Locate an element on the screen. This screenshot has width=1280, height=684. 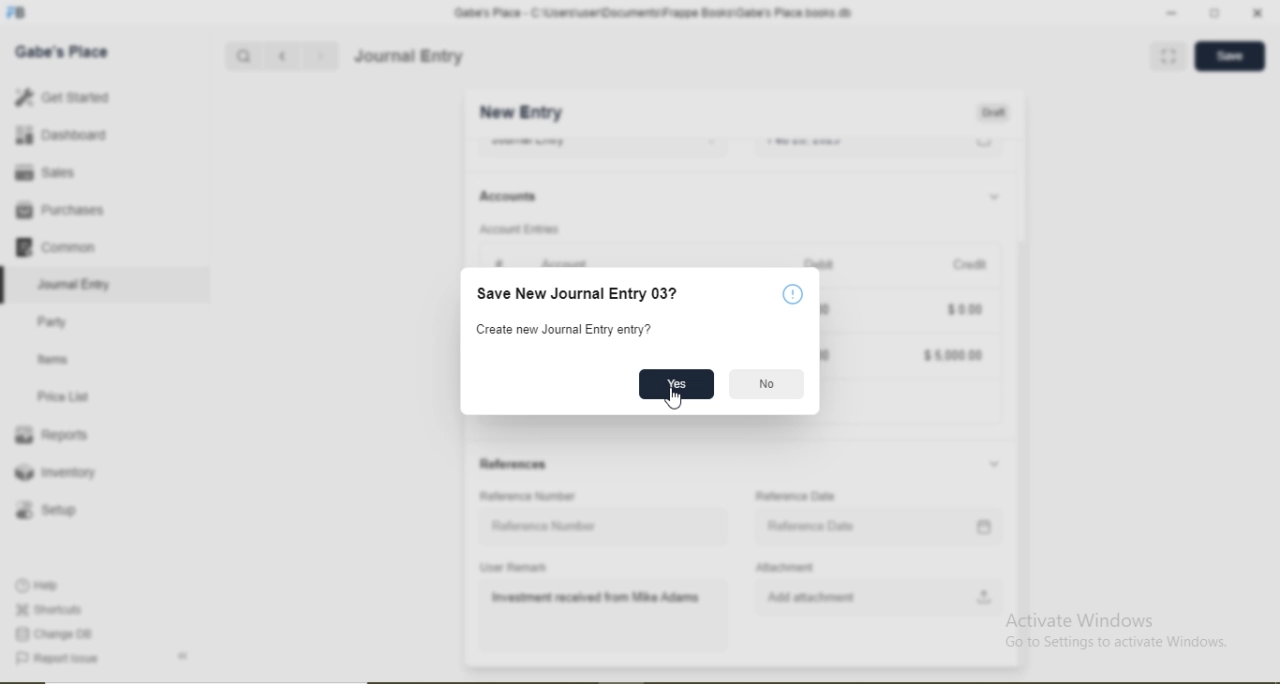
Change DB is located at coordinates (52, 635).